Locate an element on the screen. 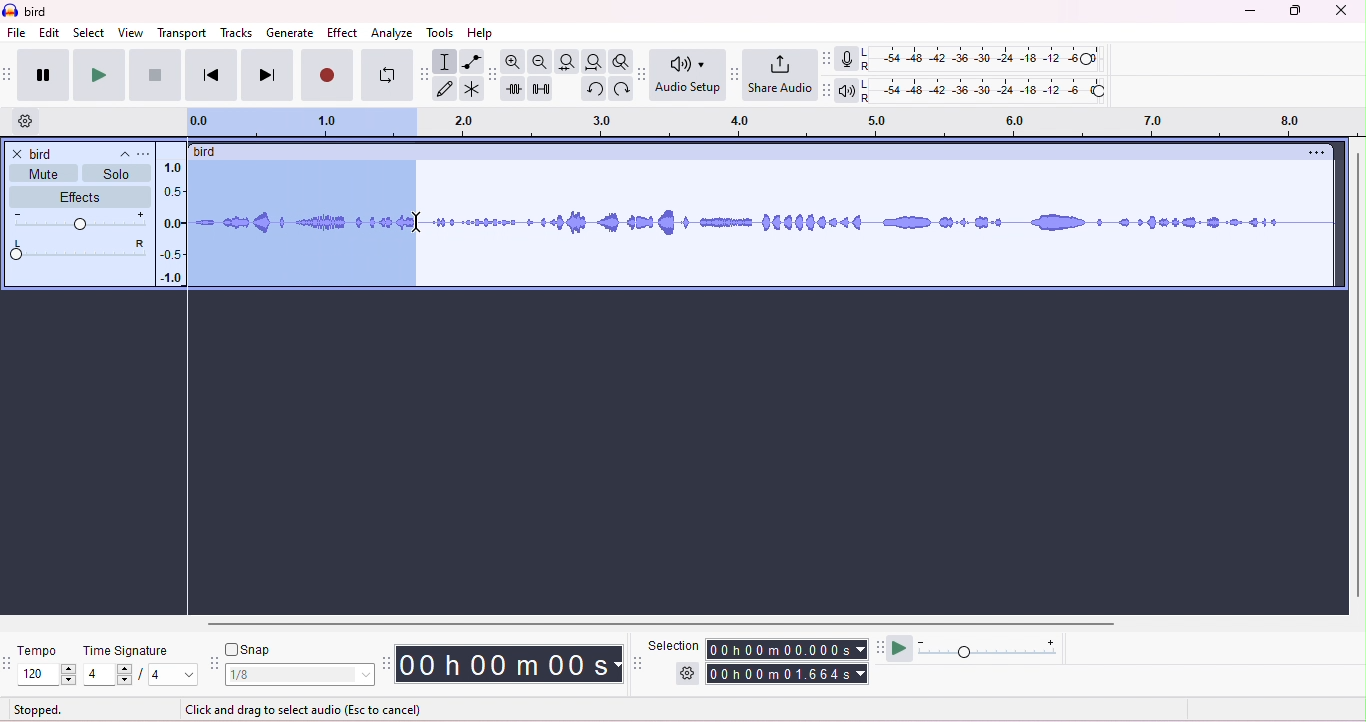  audio set up tool bar is located at coordinates (644, 74).